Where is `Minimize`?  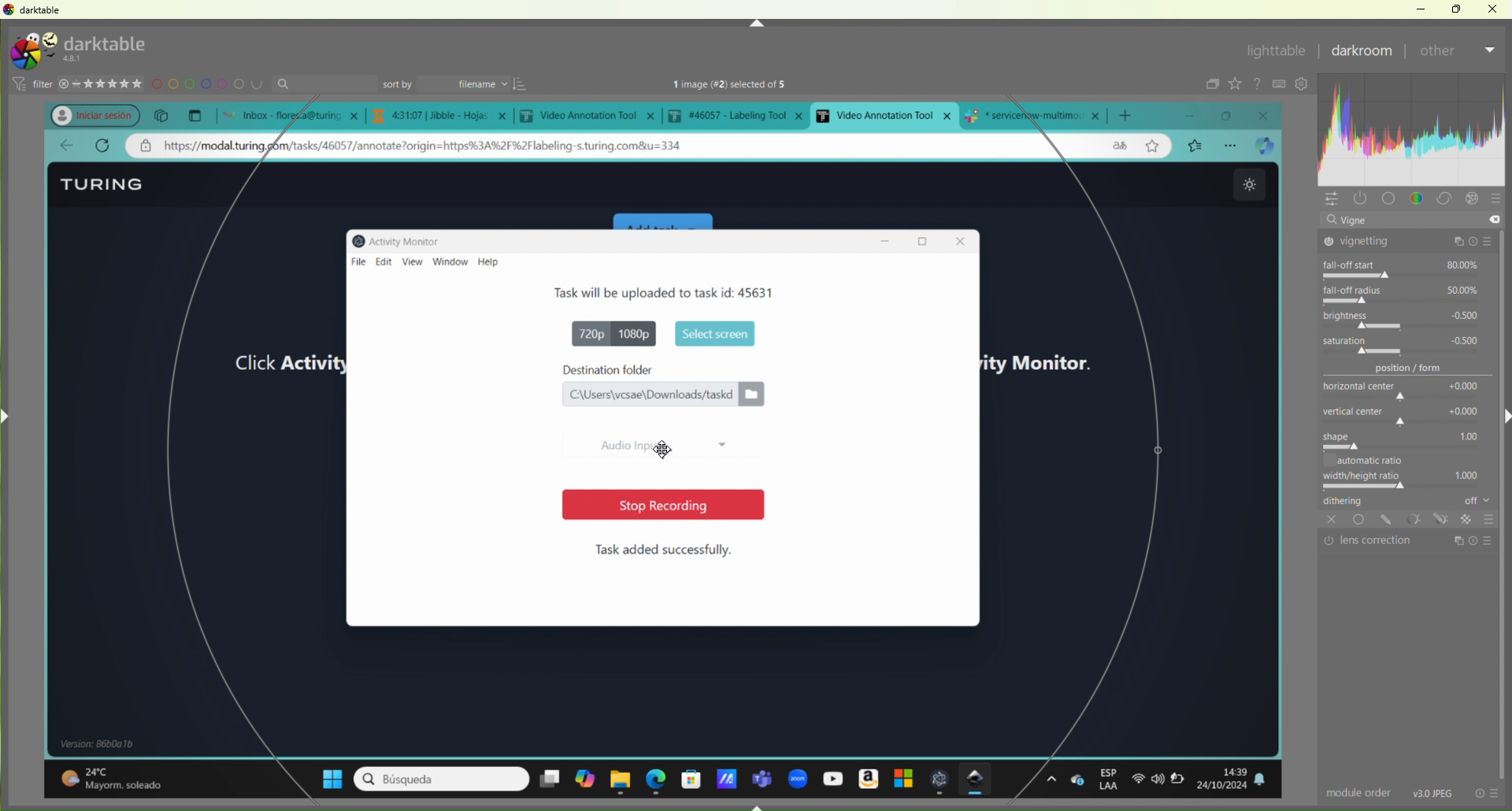 Minimize is located at coordinates (1422, 9).